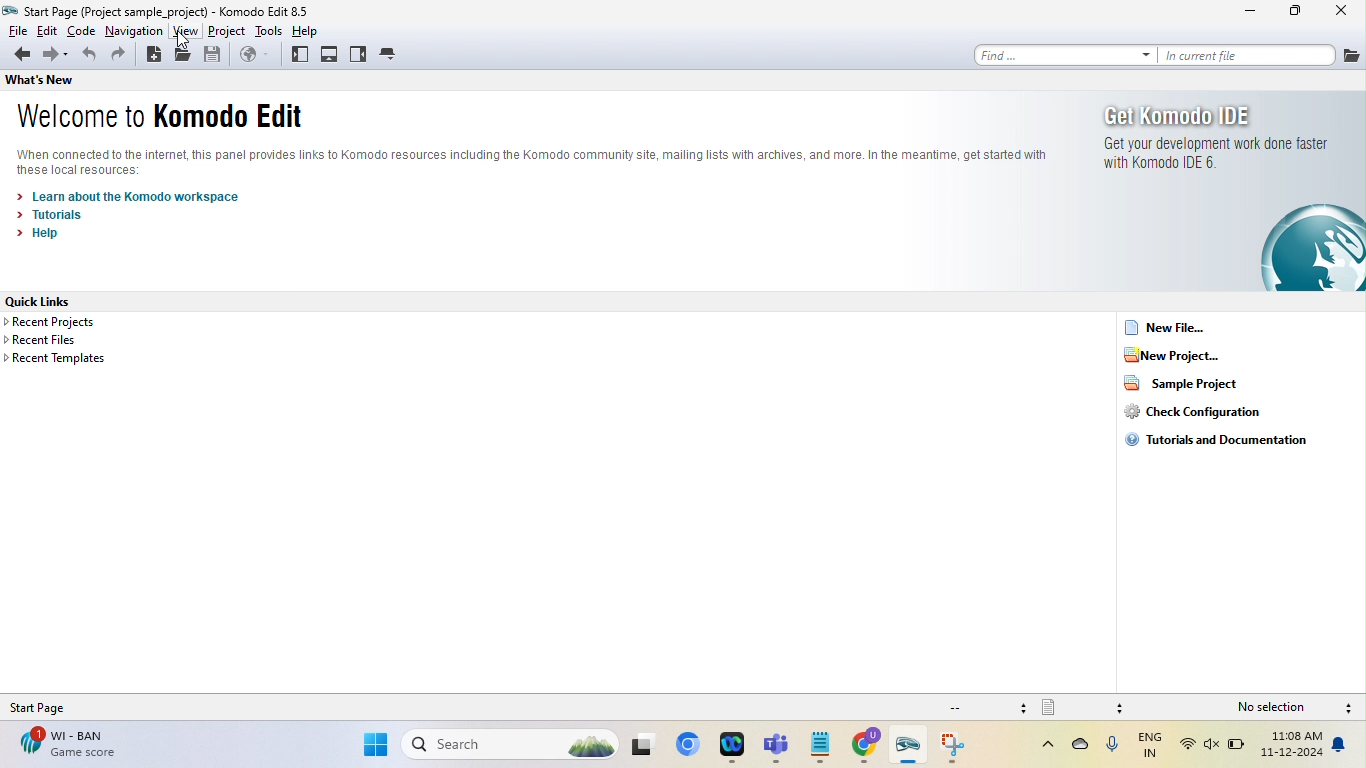 The width and height of the screenshot is (1366, 768). Describe the element at coordinates (68, 341) in the screenshot. I see `recent files` at that location.